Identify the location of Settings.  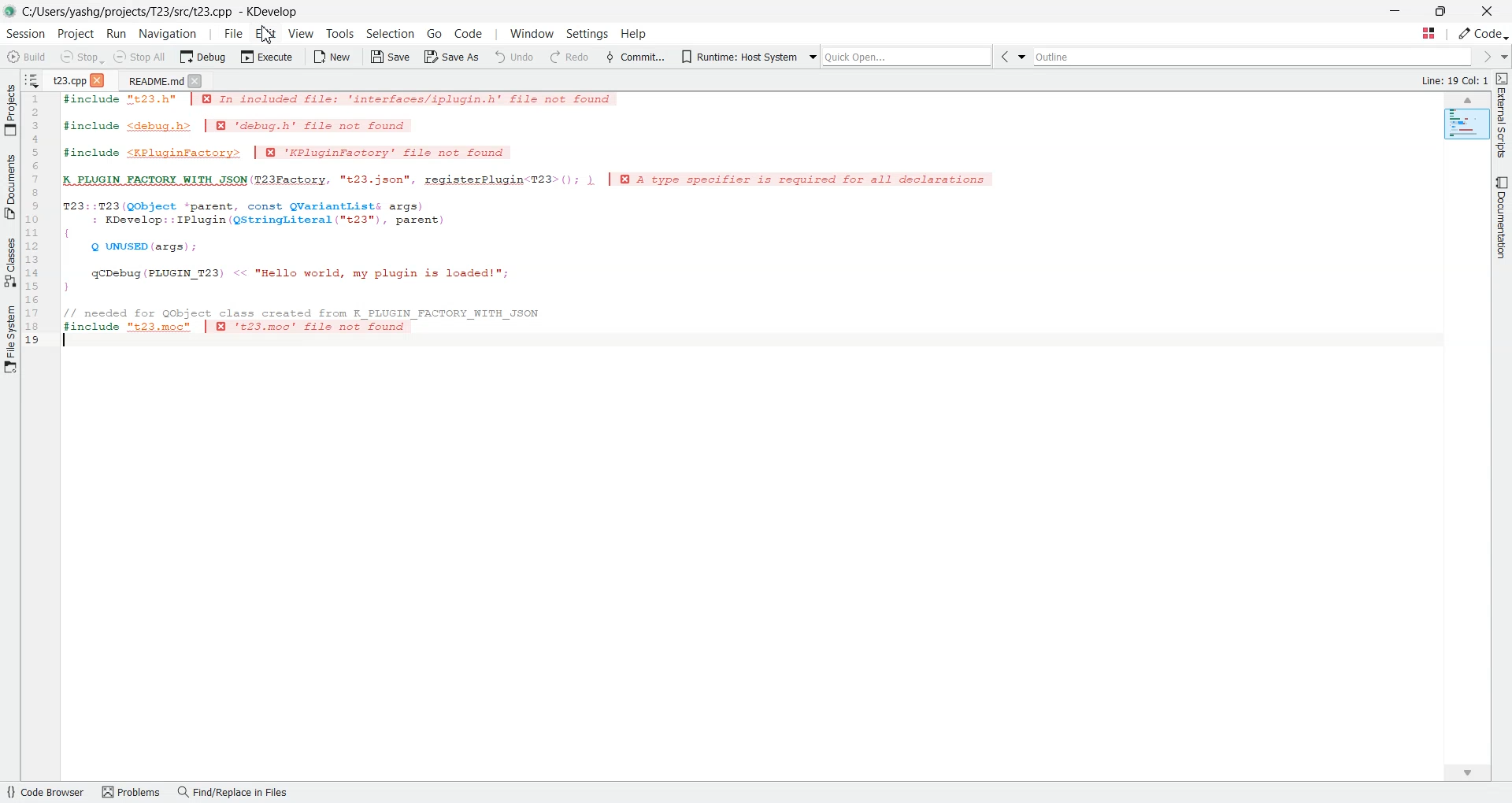
(585, 35).